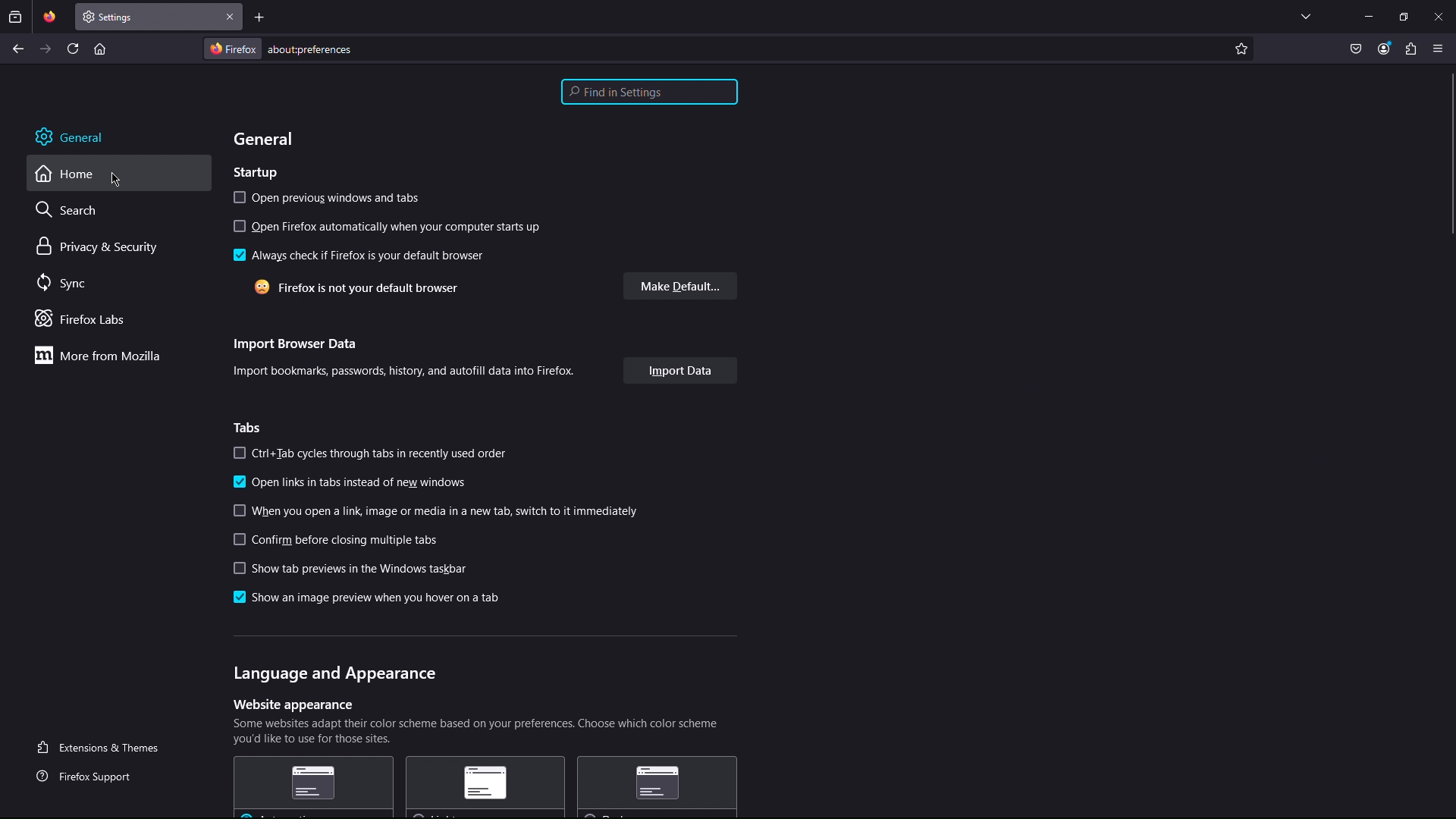  What do you see at coordinates (370, 453) in the screenshot?
I see `Ctrl + Tab cycles through tabs in recently used order` at bounding box center [370, 453].